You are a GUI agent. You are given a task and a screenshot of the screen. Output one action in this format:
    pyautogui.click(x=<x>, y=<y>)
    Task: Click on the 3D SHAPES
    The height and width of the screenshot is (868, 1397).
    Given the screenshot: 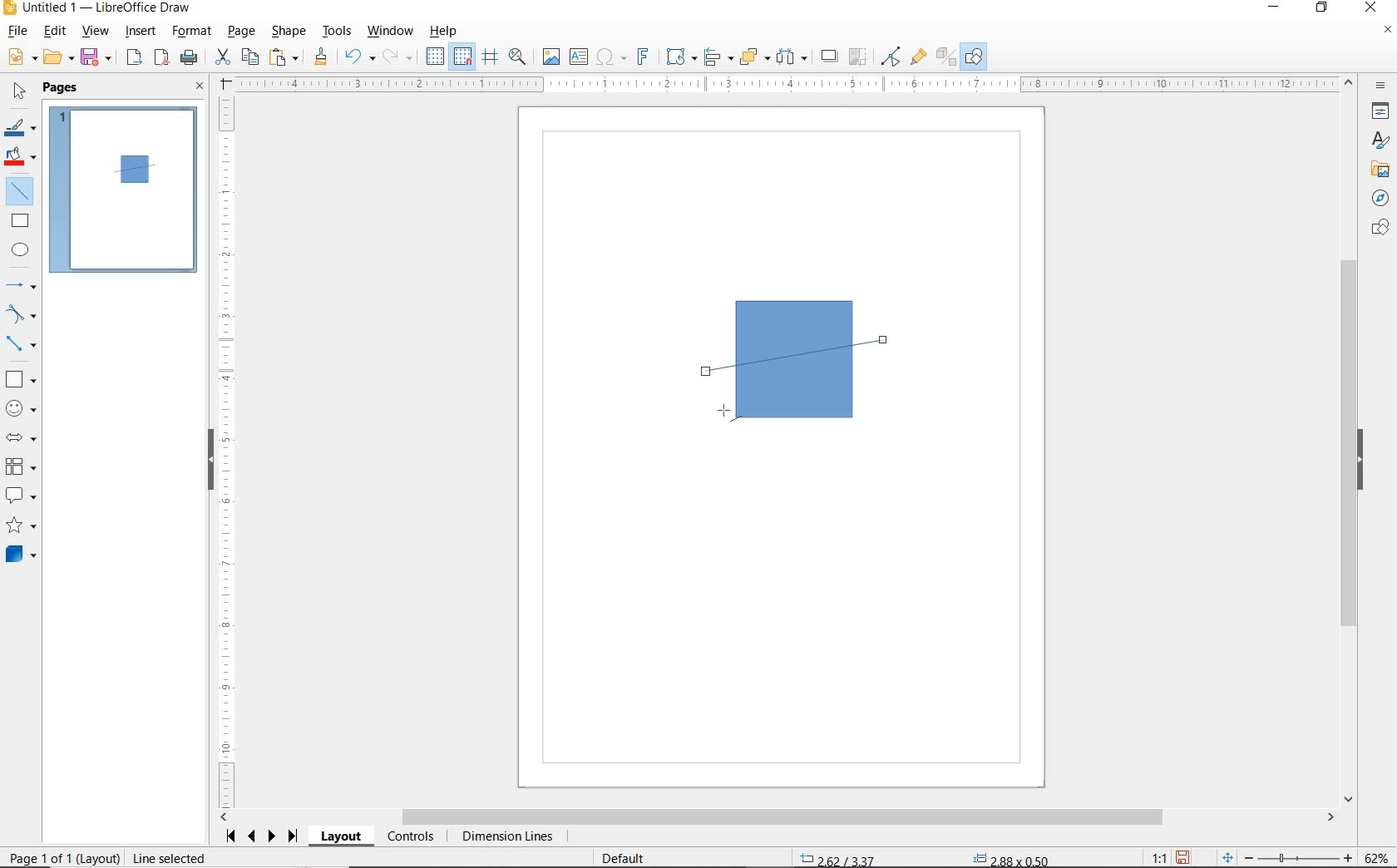 What is the action you would take?
    pyautogui.click(x=21, y=555)
    